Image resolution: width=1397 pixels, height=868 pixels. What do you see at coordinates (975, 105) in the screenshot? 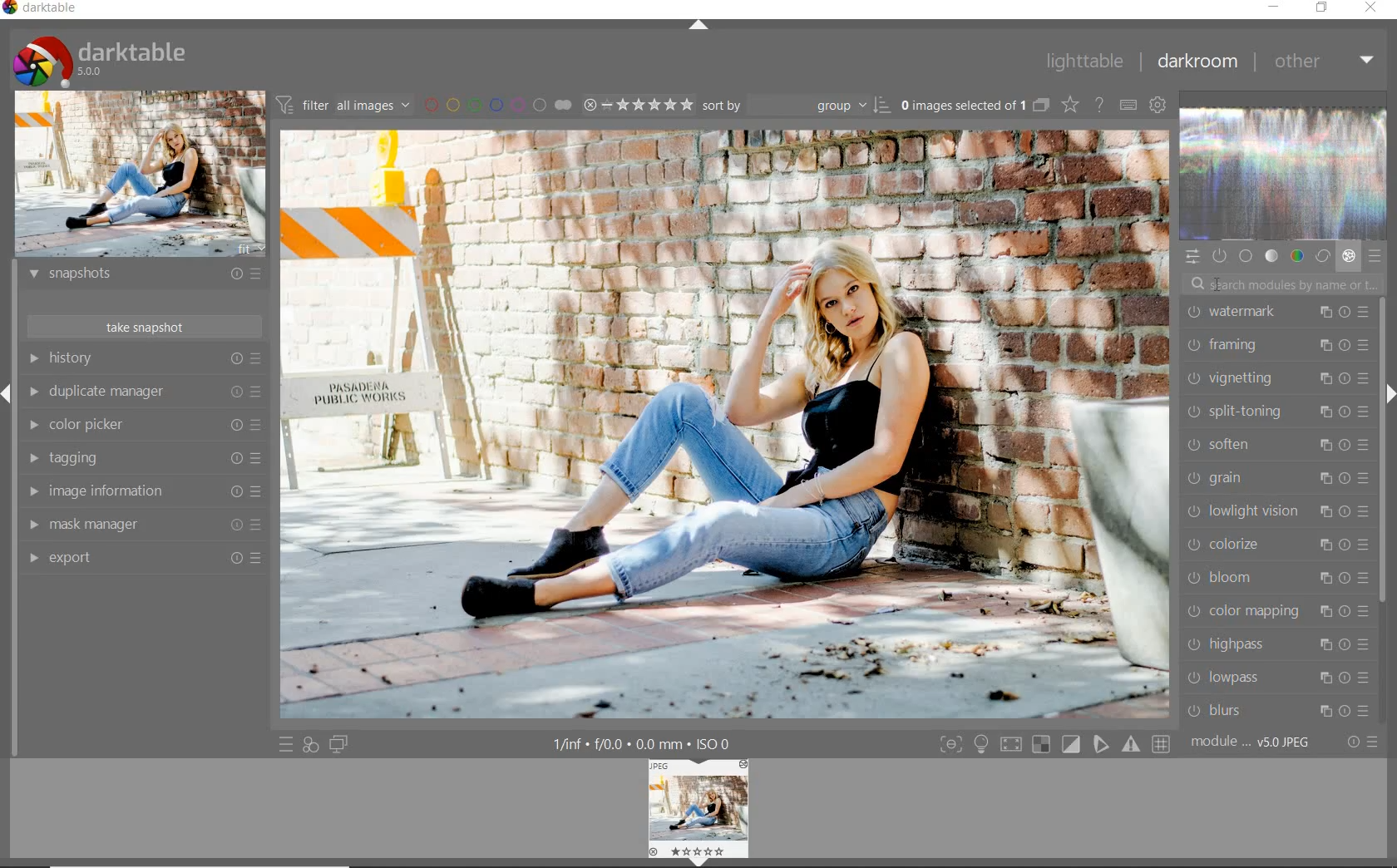
I see `expand grouped images` at bounding box center [975, 105].